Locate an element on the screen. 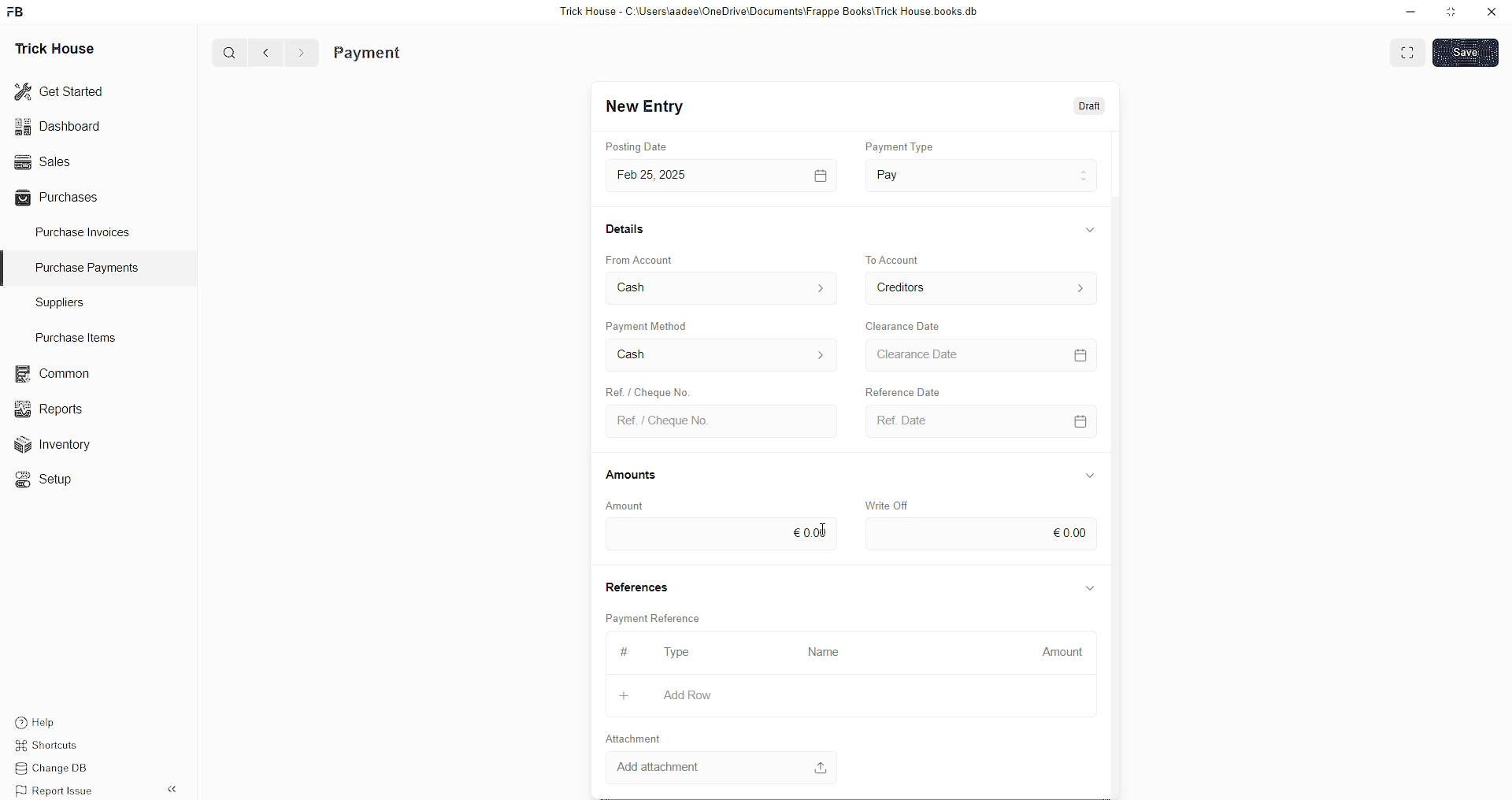 The height and width of the screenshot is (800, 1512). Add Row is located at coordinates (665, 694).